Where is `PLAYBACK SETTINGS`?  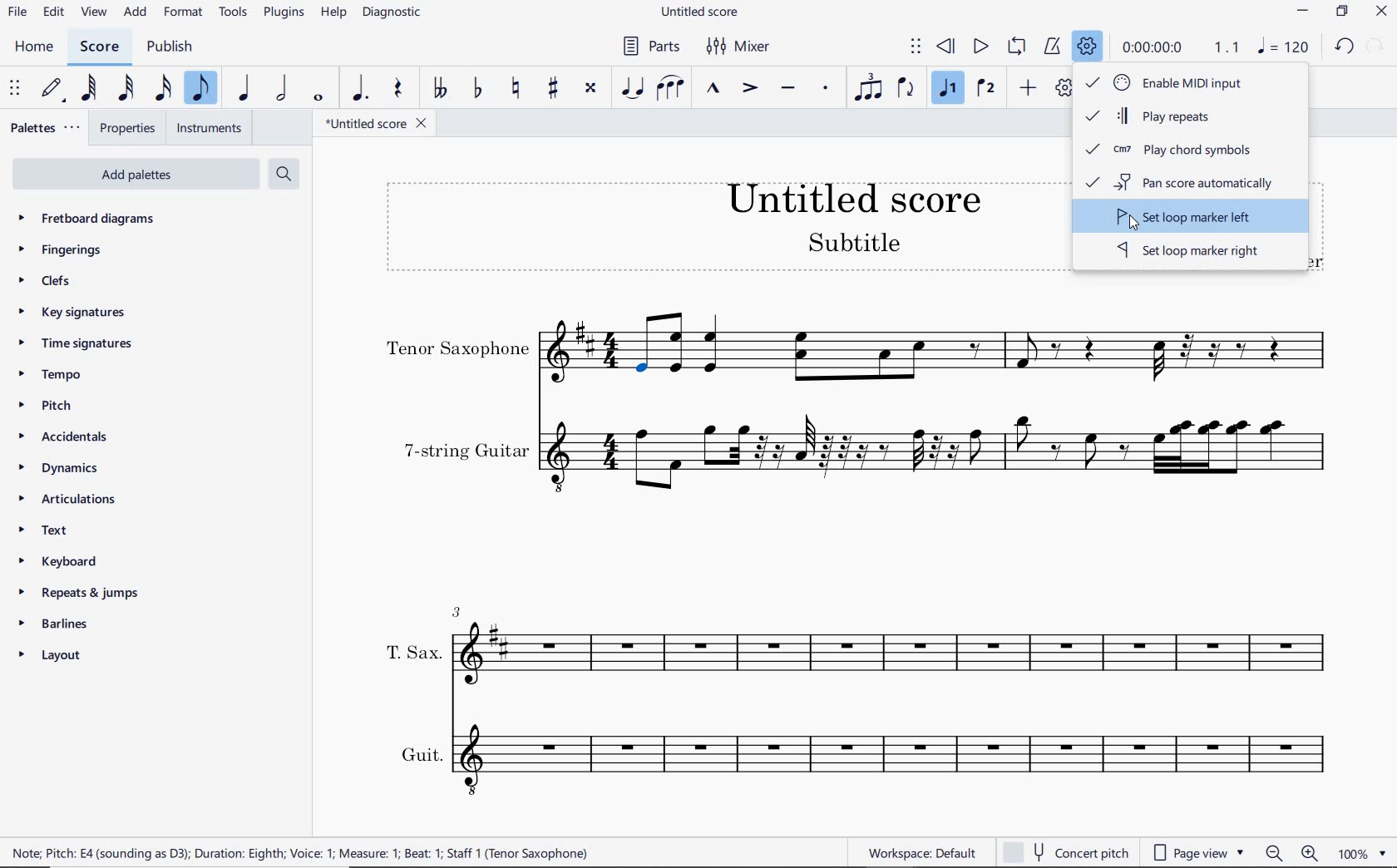 PLAYBACK SETTINGS is located at coordinates (1088, 47).